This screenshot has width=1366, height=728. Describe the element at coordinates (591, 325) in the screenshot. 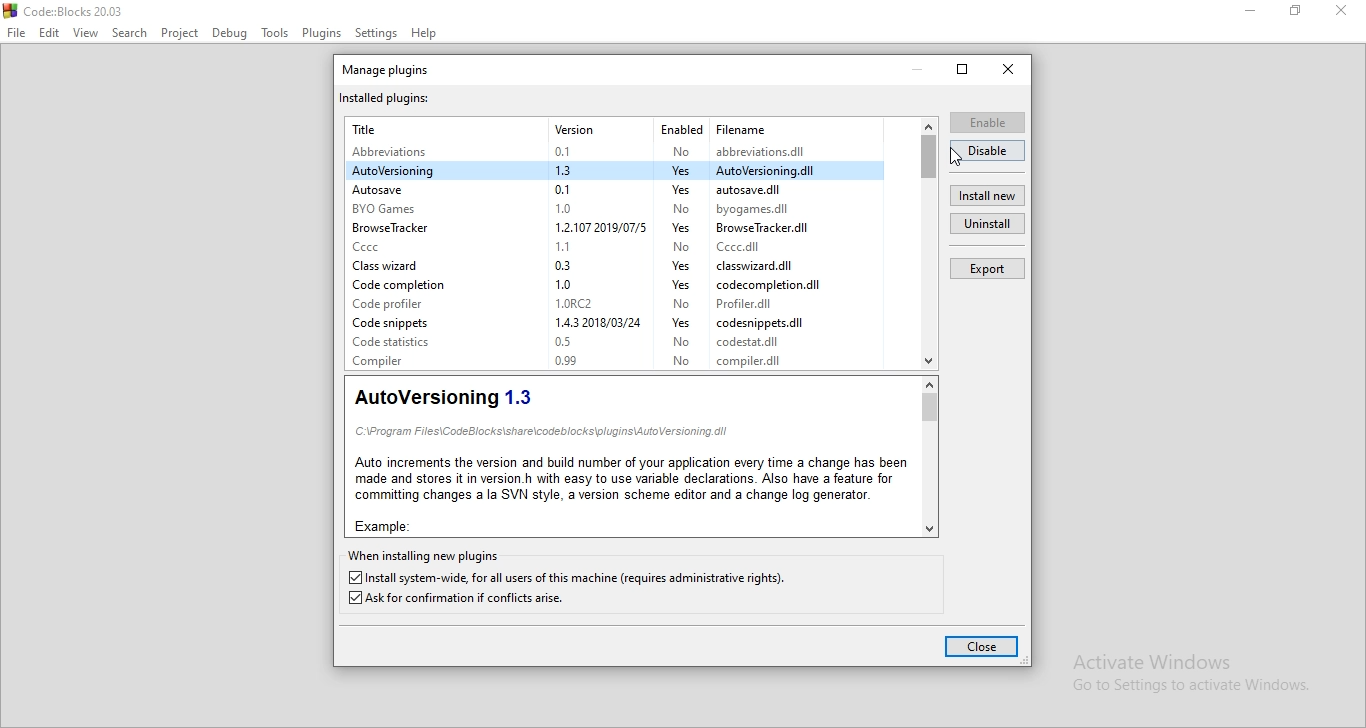

I see `1.4.3 2018/03/24` at that location.